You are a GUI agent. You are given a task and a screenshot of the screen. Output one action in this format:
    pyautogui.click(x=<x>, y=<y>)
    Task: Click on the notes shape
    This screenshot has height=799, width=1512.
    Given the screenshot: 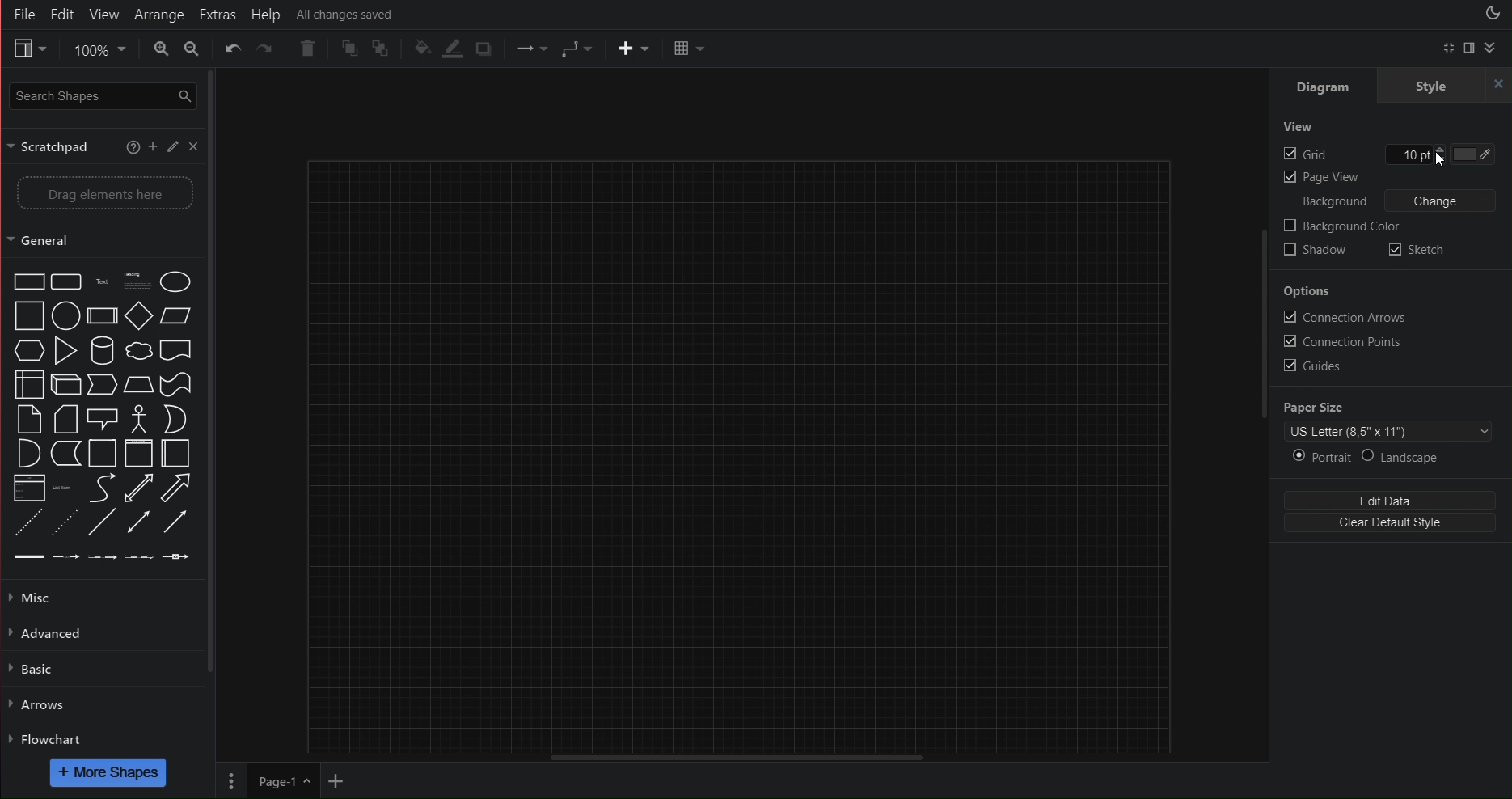 What is the action you would take?
    pyautogui.click(x=23, y=420)
    